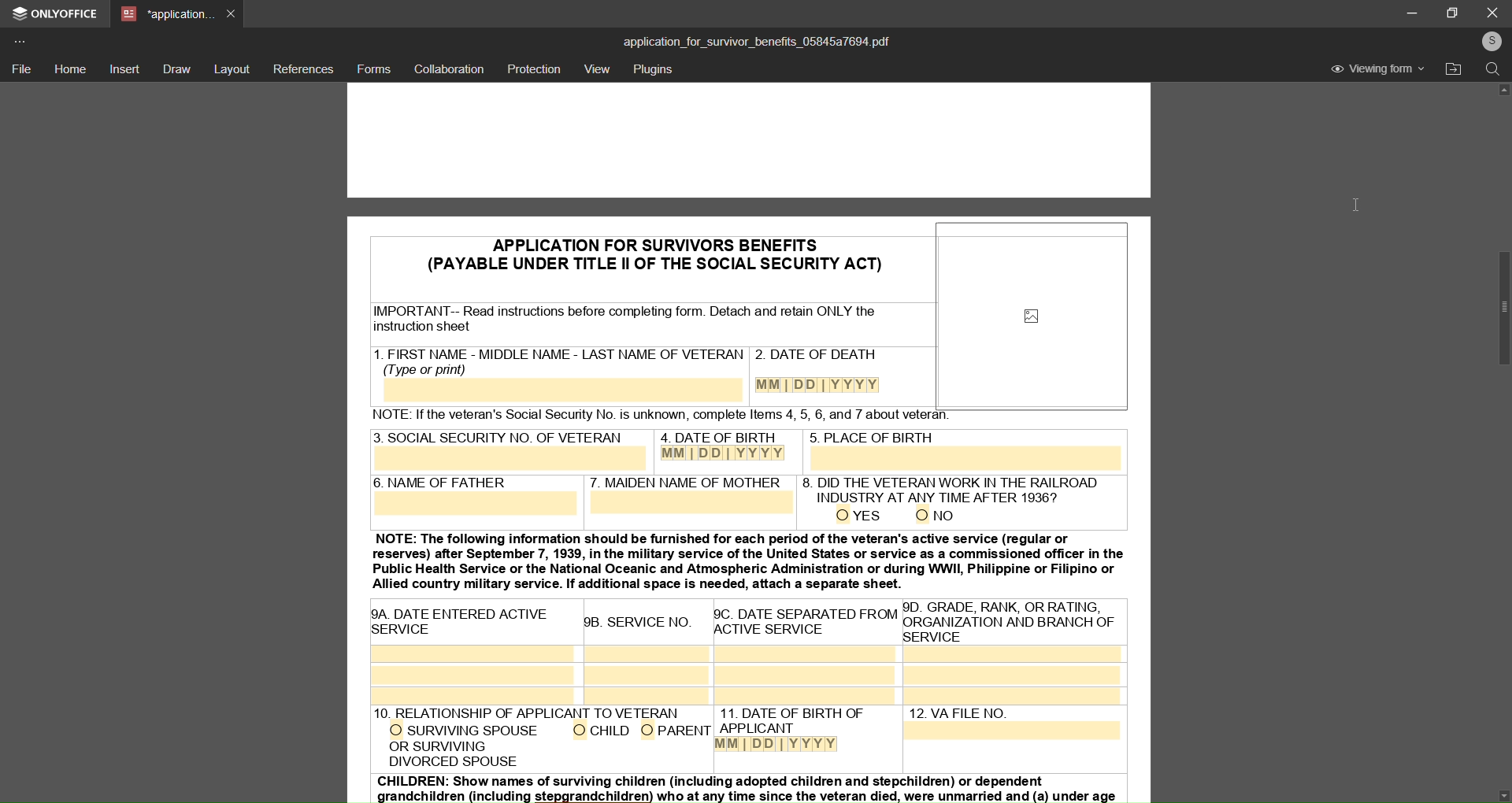 The image size is (1512, 803). Describe the element at coordinates (597, 70) in the screenshot. I see `view` at that location.